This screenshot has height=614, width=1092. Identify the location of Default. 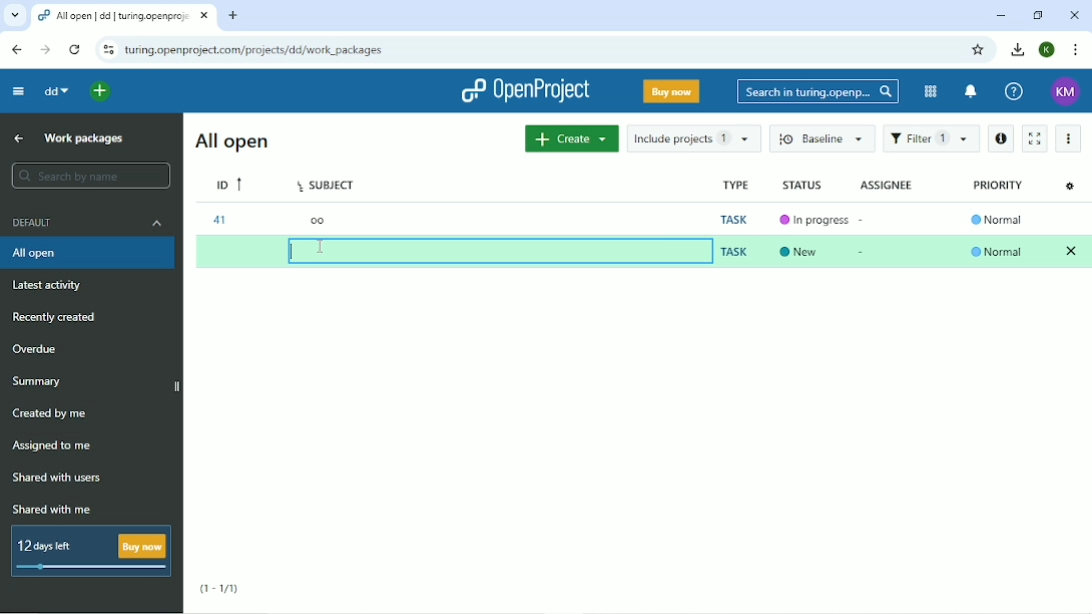
(88, 225).